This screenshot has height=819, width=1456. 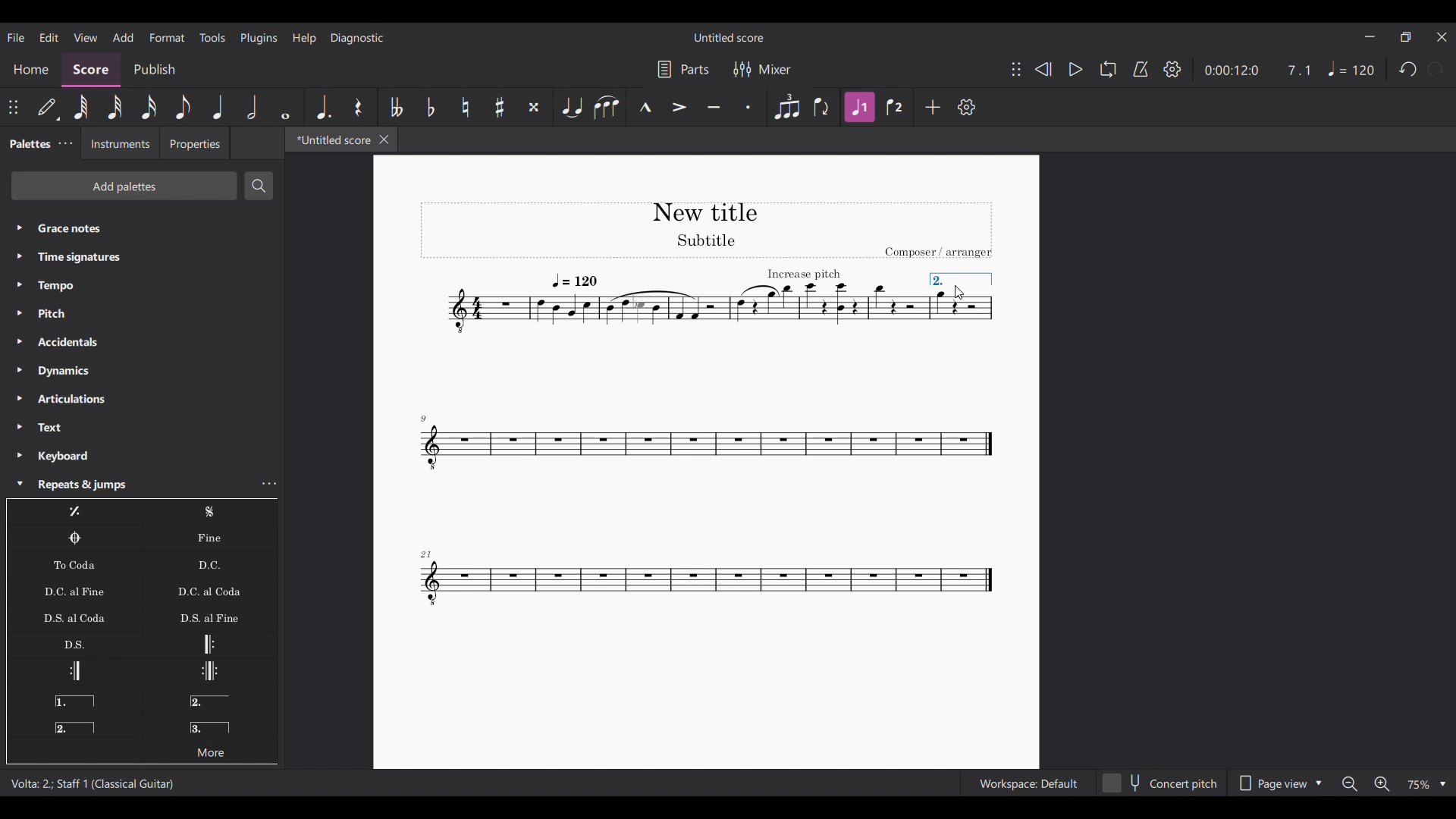 I want to click on Change position, so click(x=13, y=107).